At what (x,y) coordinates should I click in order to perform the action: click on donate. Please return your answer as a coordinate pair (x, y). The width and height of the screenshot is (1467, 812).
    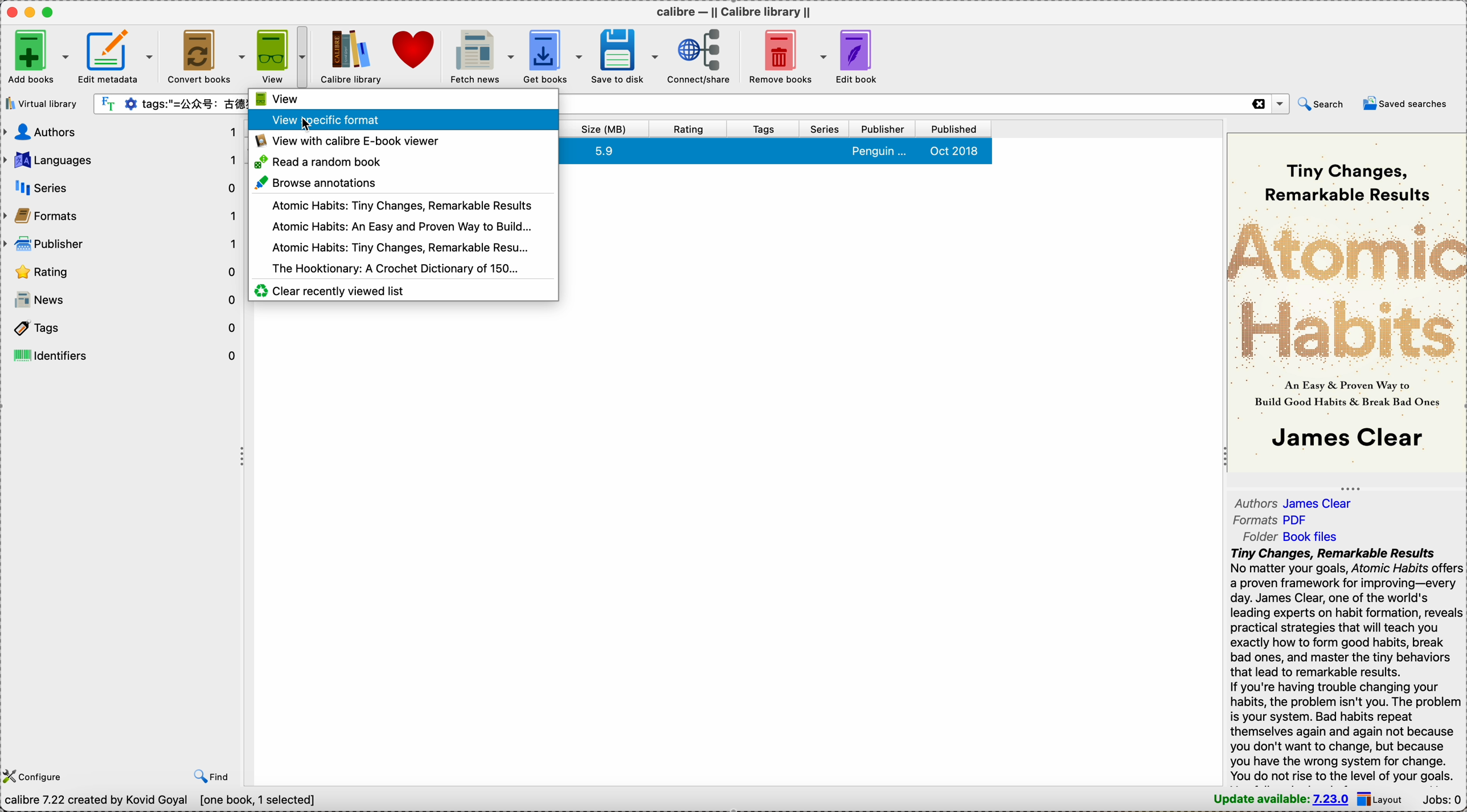
    Looking at the image, I should click on (415, 50).